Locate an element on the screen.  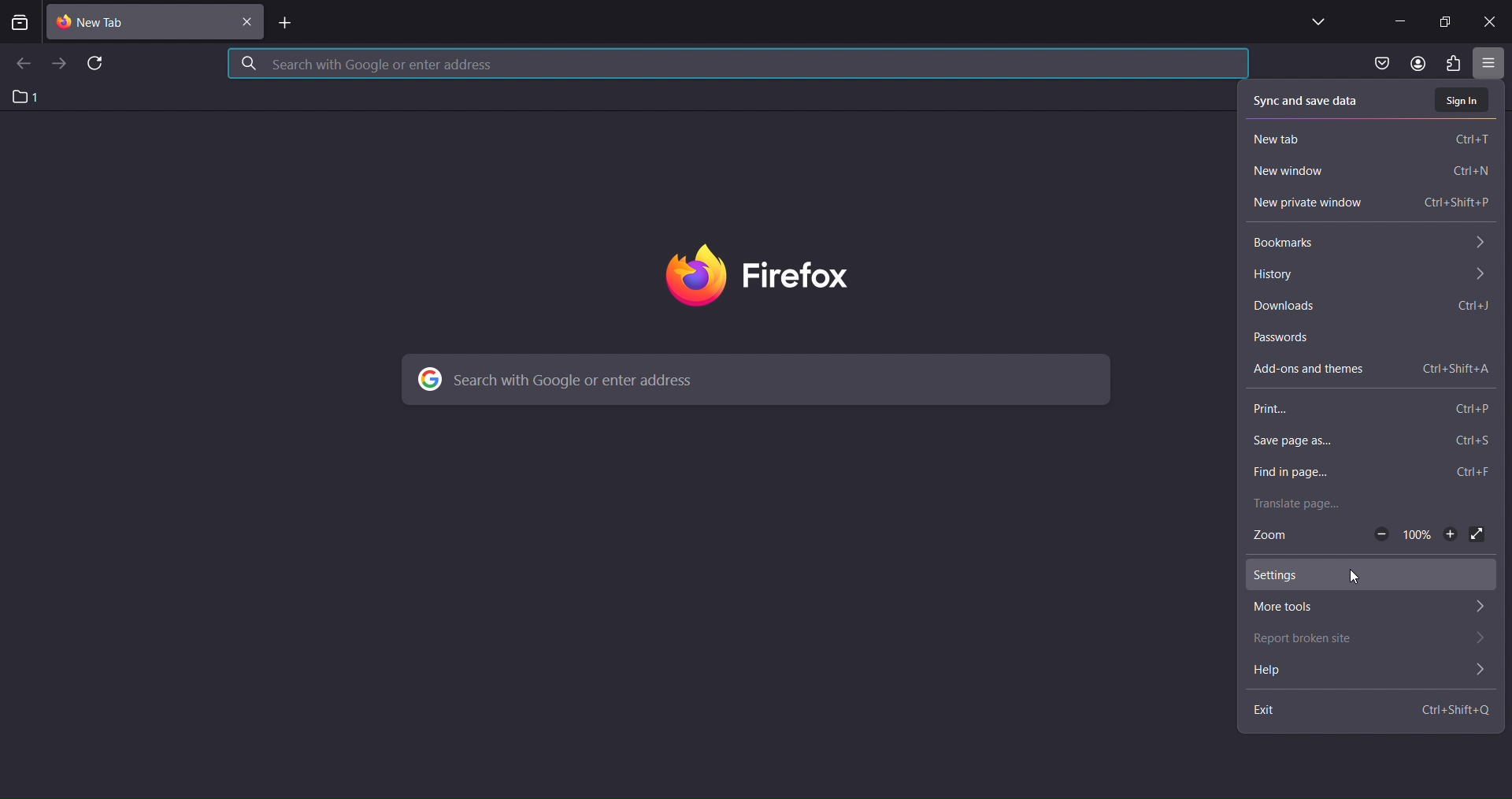
account is located at coordinates (1419, 63).